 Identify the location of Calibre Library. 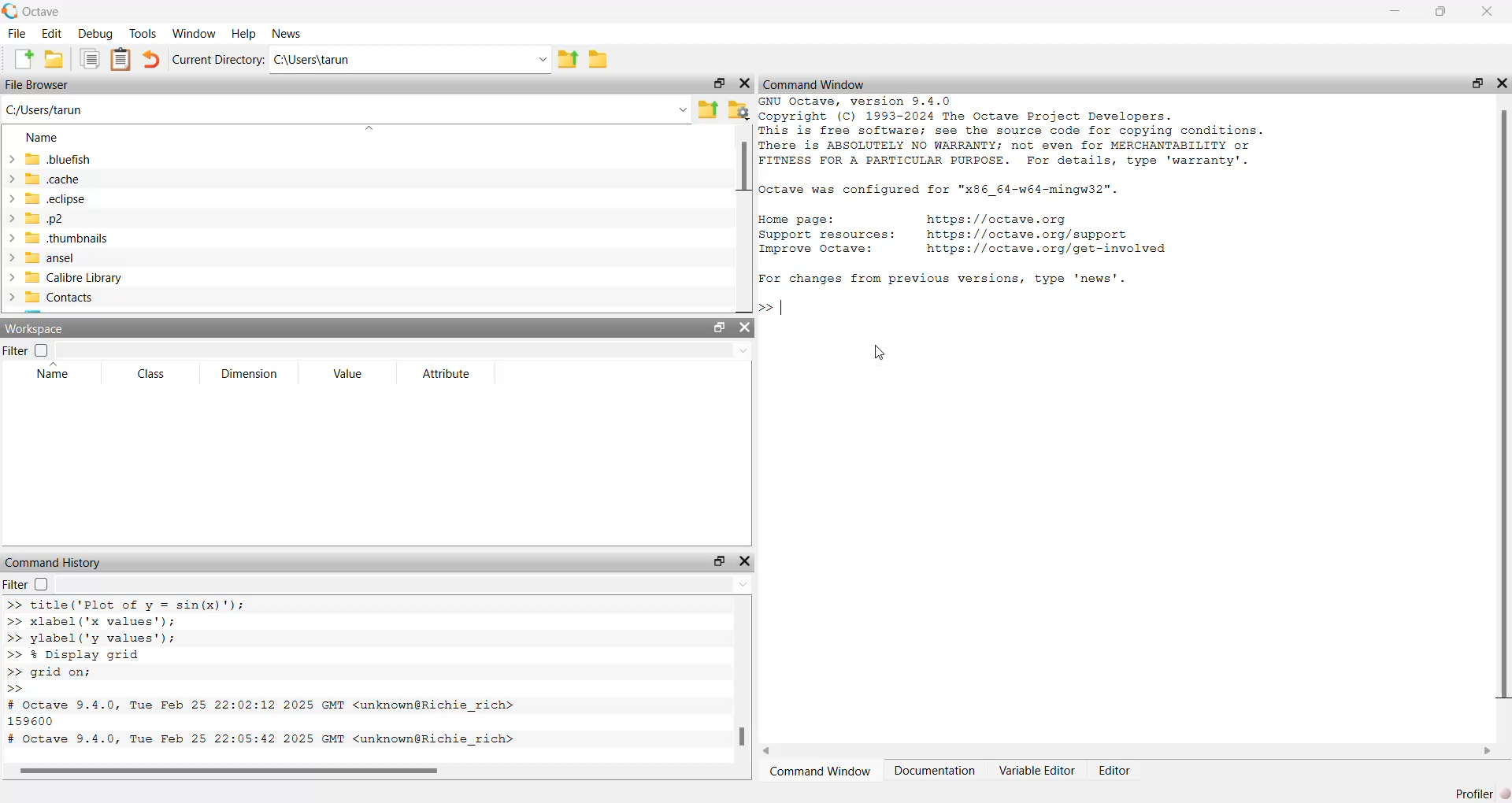
(65, 279).